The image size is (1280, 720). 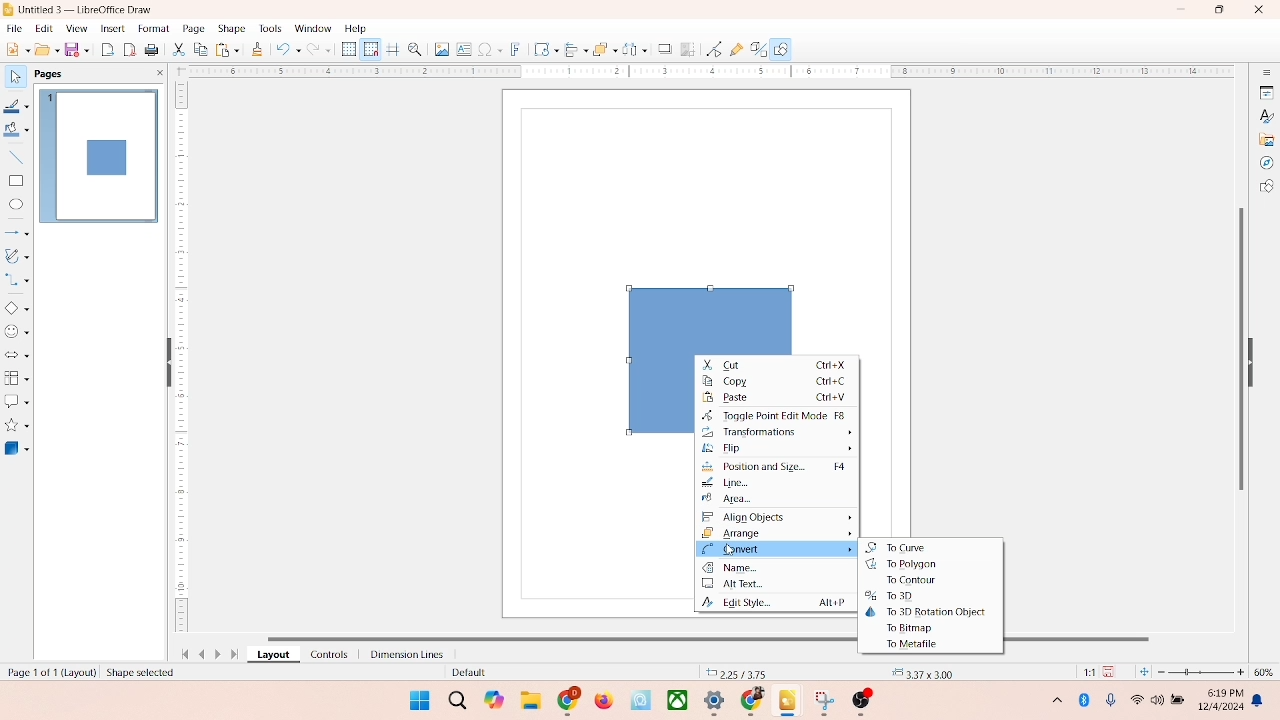 I want to click on area, so click(x=744, y=501).